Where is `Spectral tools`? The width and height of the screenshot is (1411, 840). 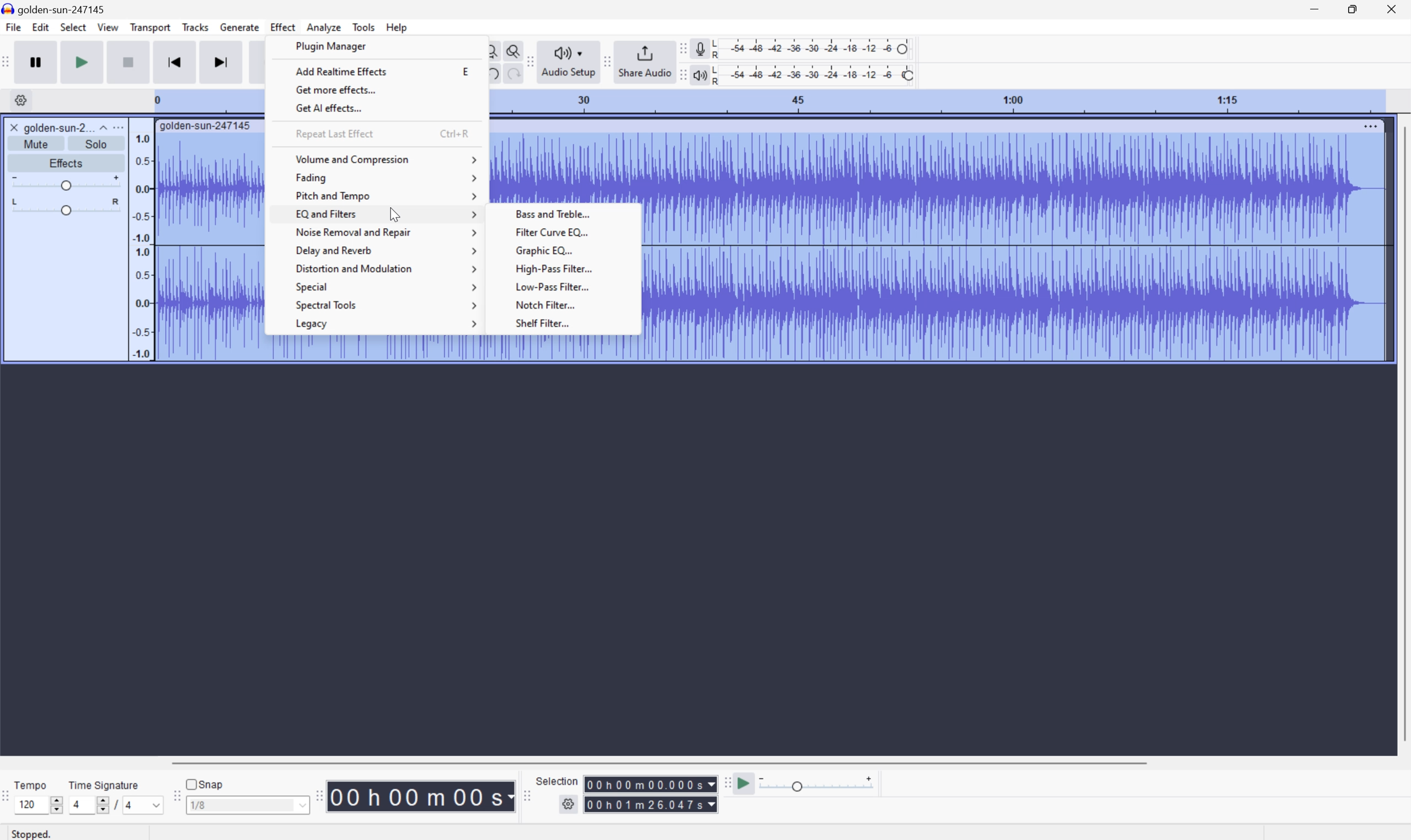
Spectral tools is located at coordinates (385, 307).